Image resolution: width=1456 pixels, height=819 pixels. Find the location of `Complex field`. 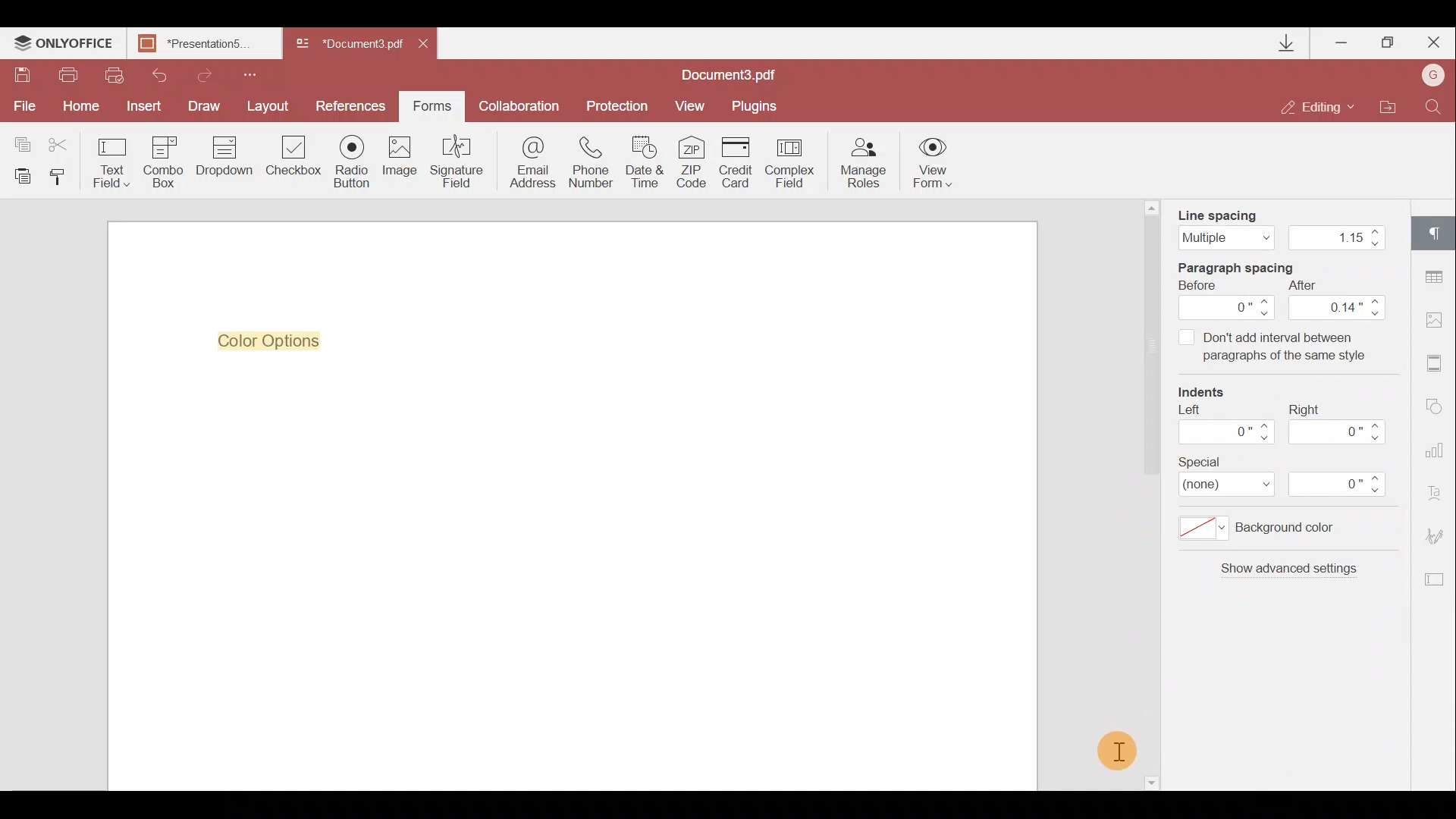

Complex field is located at coordinates (791, 162).